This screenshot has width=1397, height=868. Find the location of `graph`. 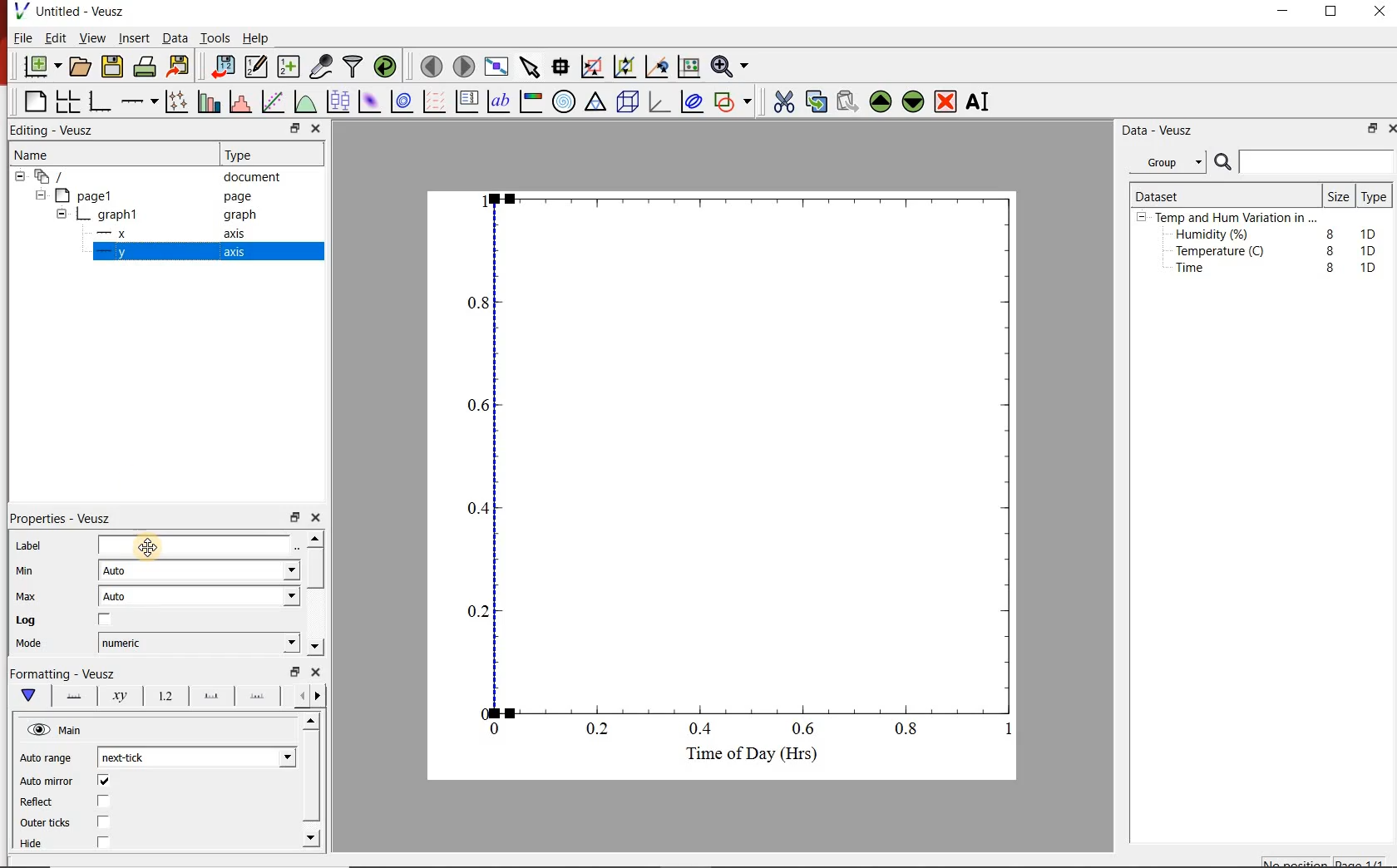

graph is located at coordinates (239, 216).